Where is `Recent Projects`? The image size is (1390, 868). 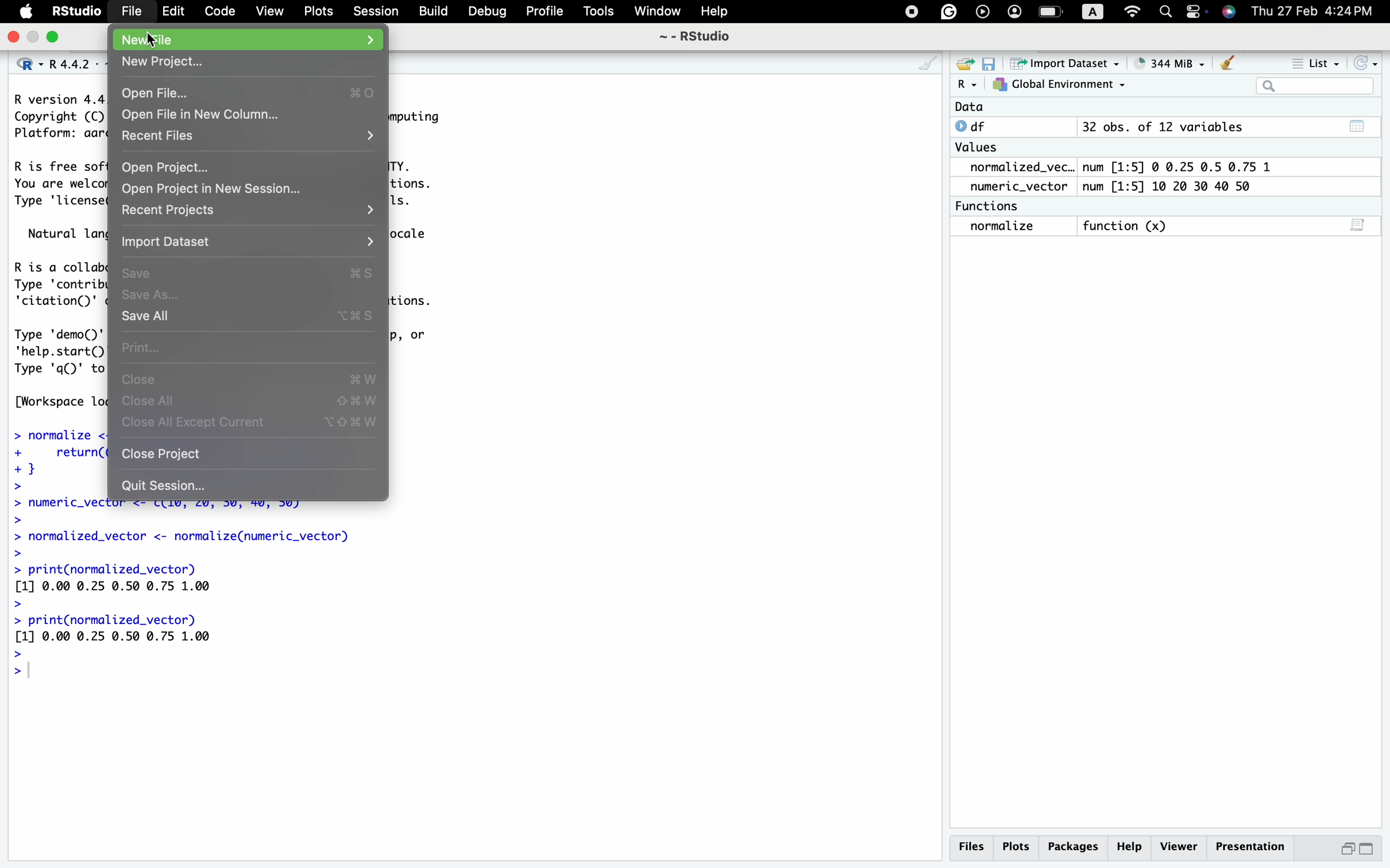 Recent Projects is located at coordinates (168, 211).